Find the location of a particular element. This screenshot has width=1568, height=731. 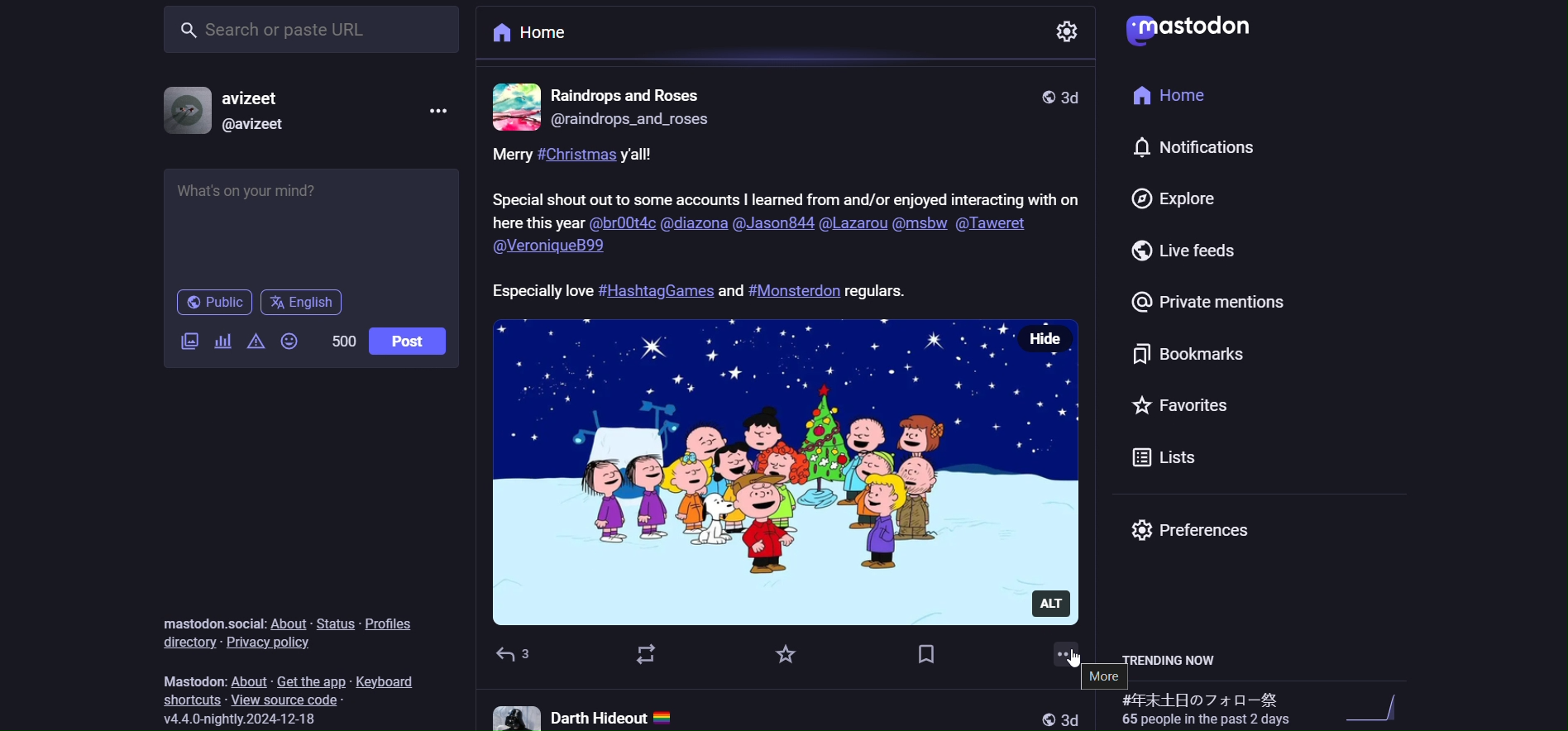

logo is located at coordinates (1196, 32).